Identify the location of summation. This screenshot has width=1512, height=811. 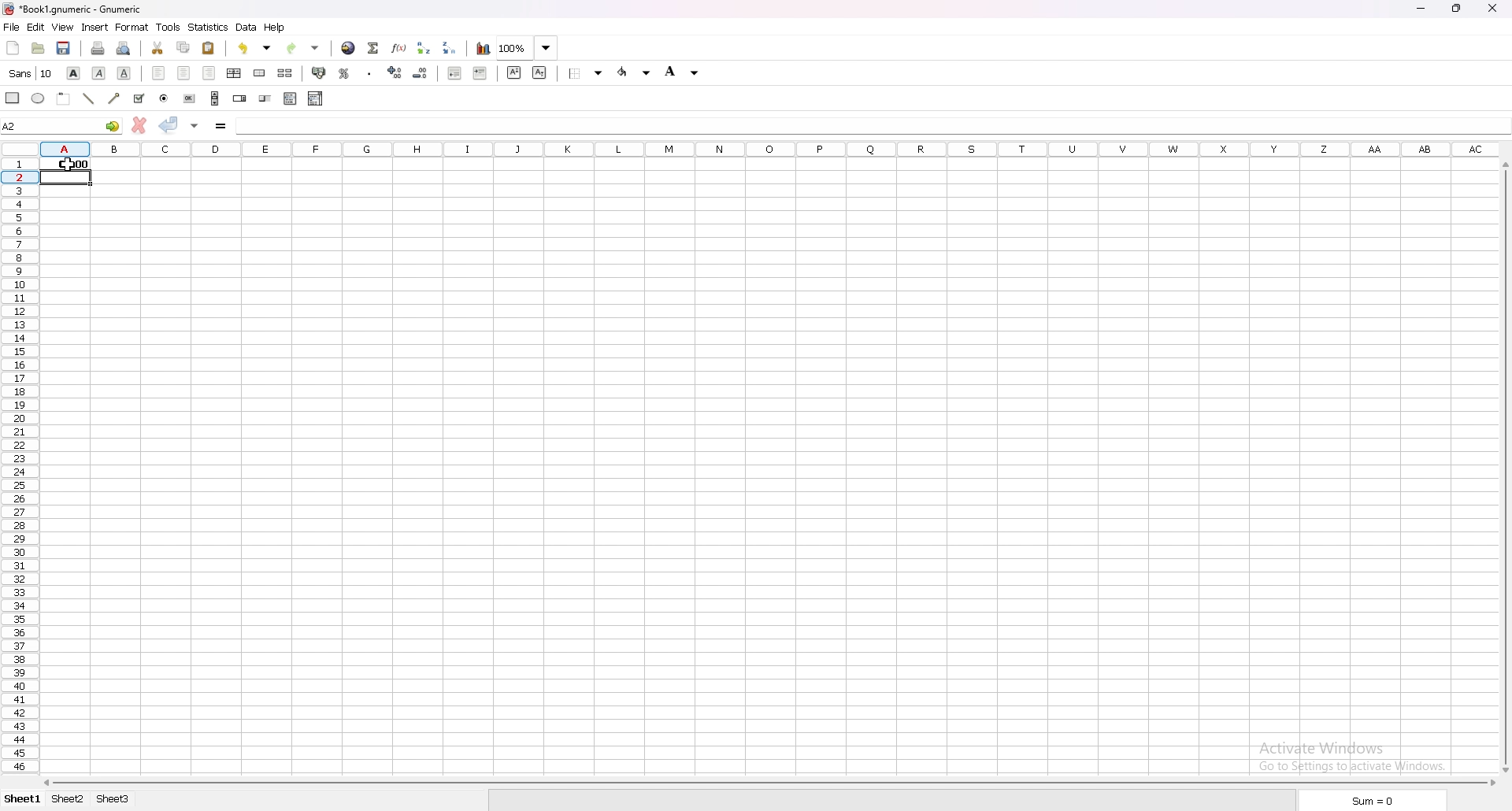
(372, 48).